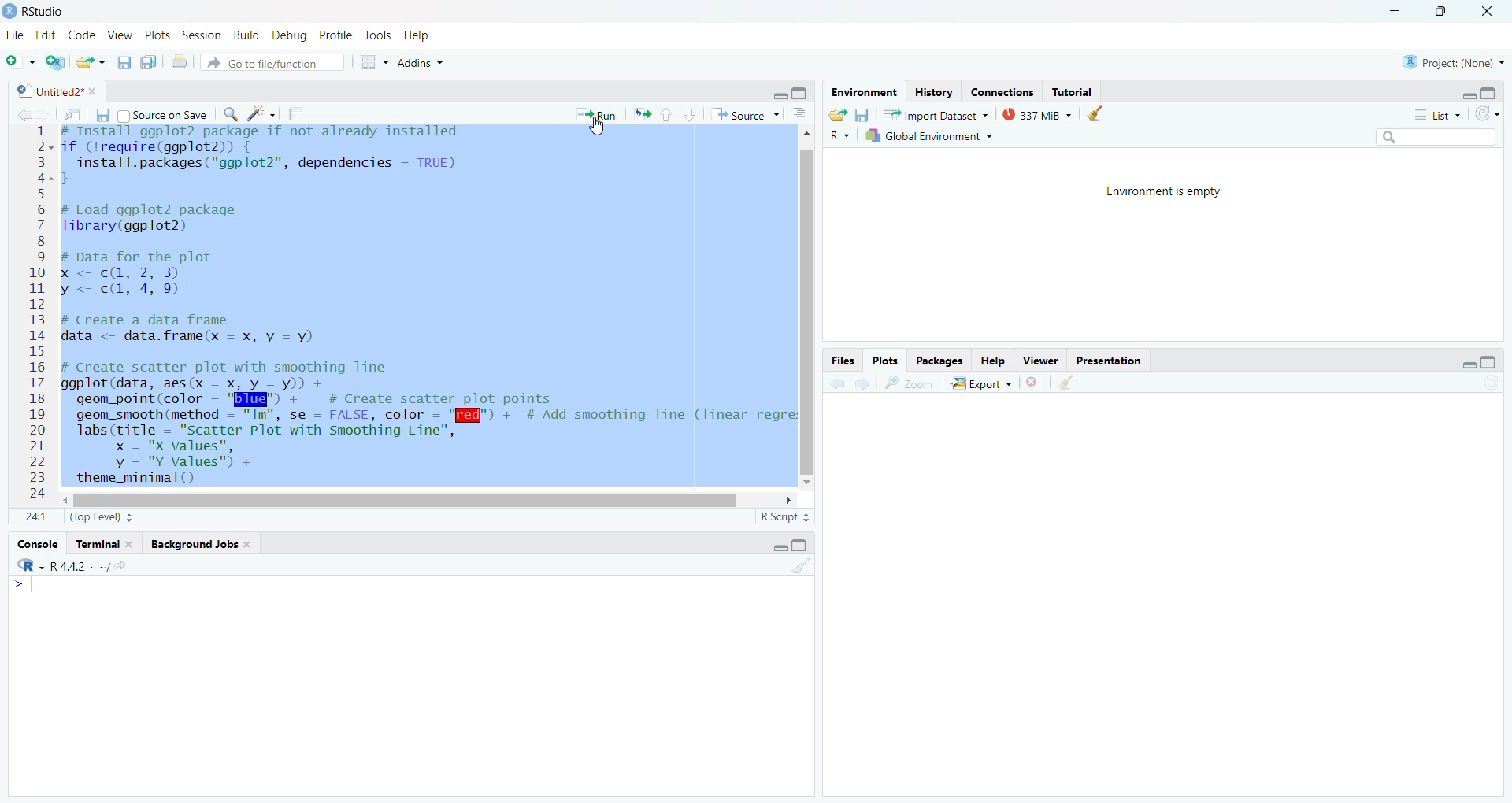  What do you see at coordinates (1462, 364) in the screenshot?
I see `hide r script` at bounding box center [1462, 364].